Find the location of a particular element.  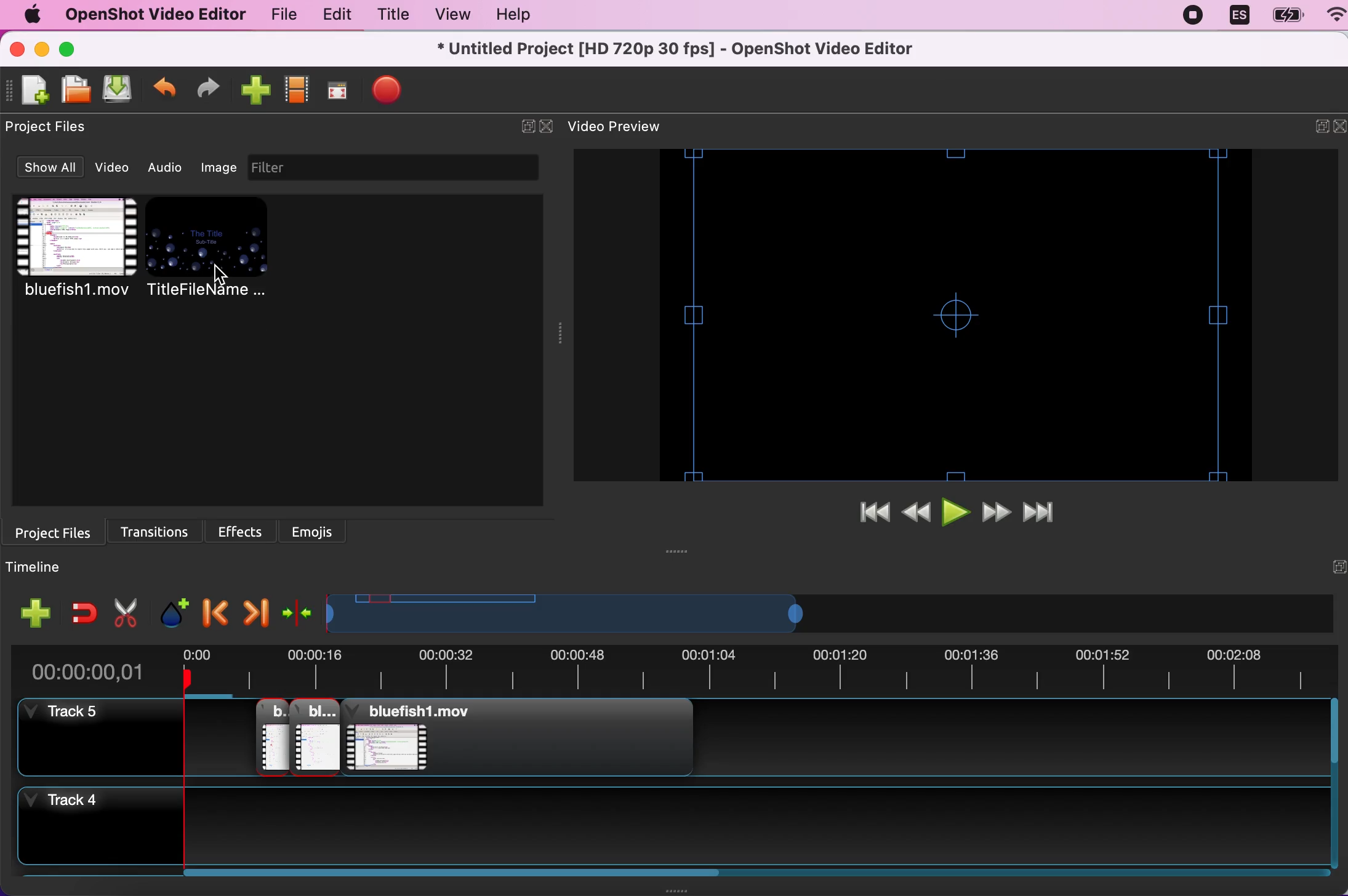

close is located at coordinates (548, 127).